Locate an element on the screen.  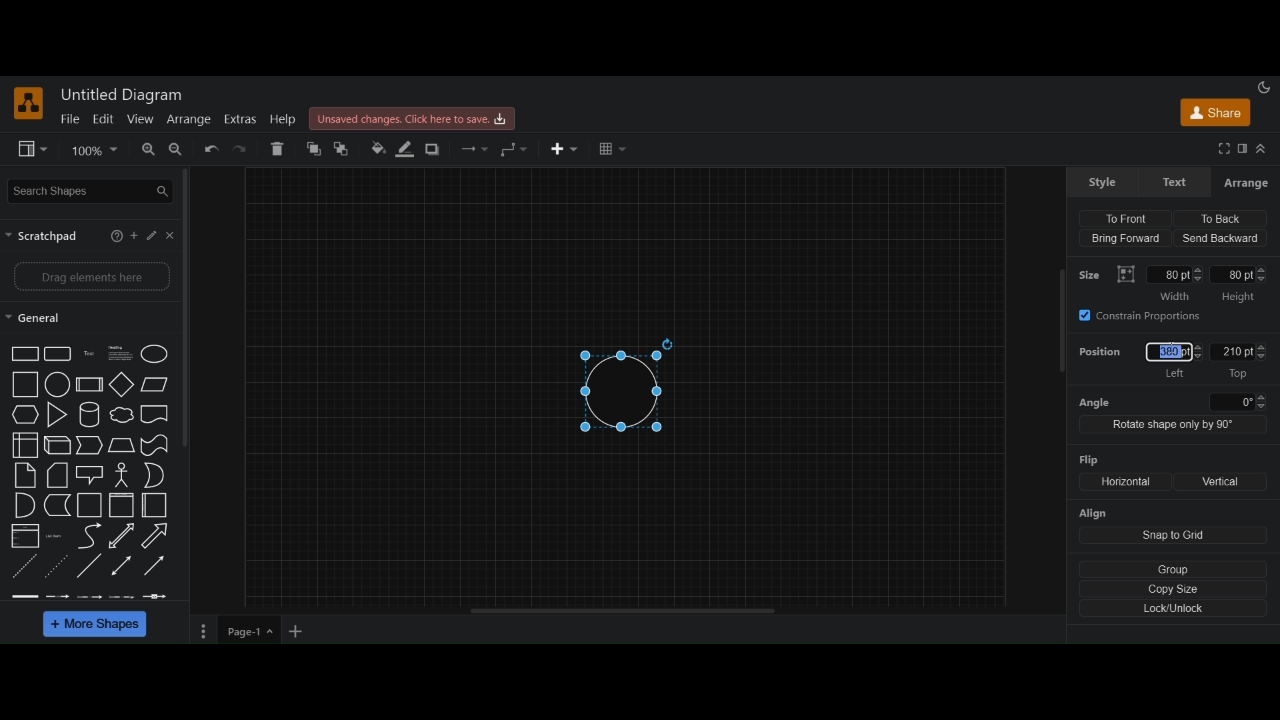
dashed is located at coordinates (87, 596).